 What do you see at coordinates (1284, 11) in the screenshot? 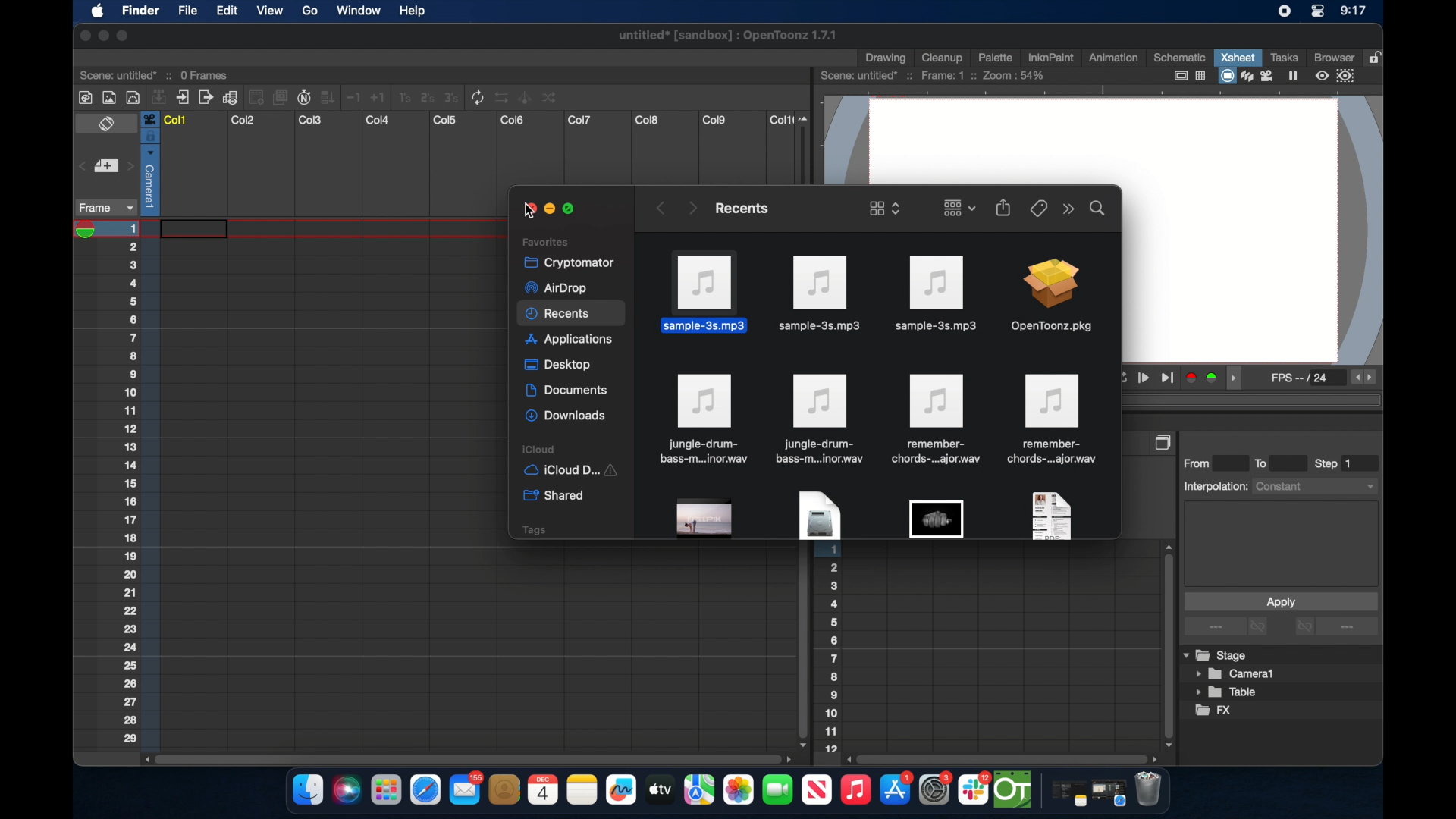
I see `screen recorder icon` at bounding box center [1284, 11].